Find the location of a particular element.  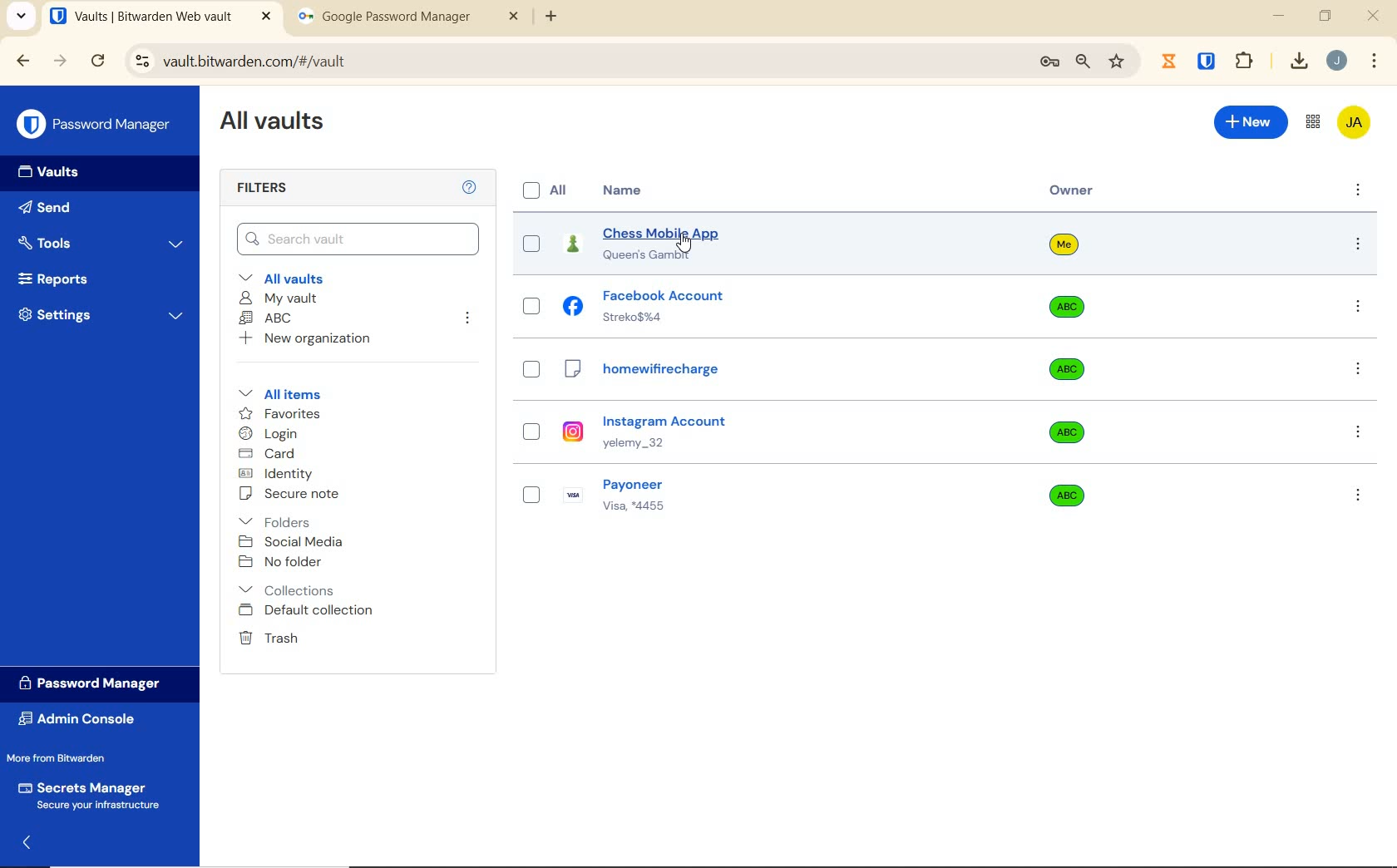

homewifirecharge is located at coordinates (668, 372).